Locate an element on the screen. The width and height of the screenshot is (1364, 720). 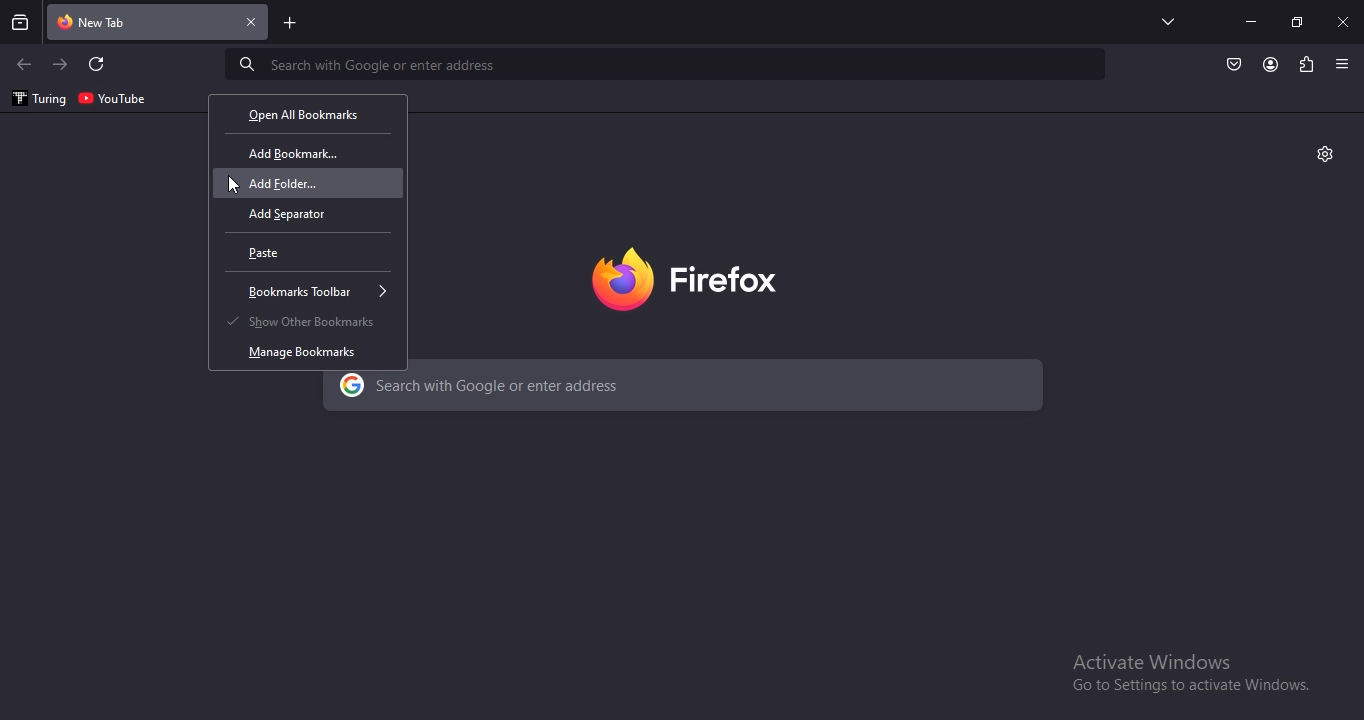
minimize is located at coordinates (1251, 22).